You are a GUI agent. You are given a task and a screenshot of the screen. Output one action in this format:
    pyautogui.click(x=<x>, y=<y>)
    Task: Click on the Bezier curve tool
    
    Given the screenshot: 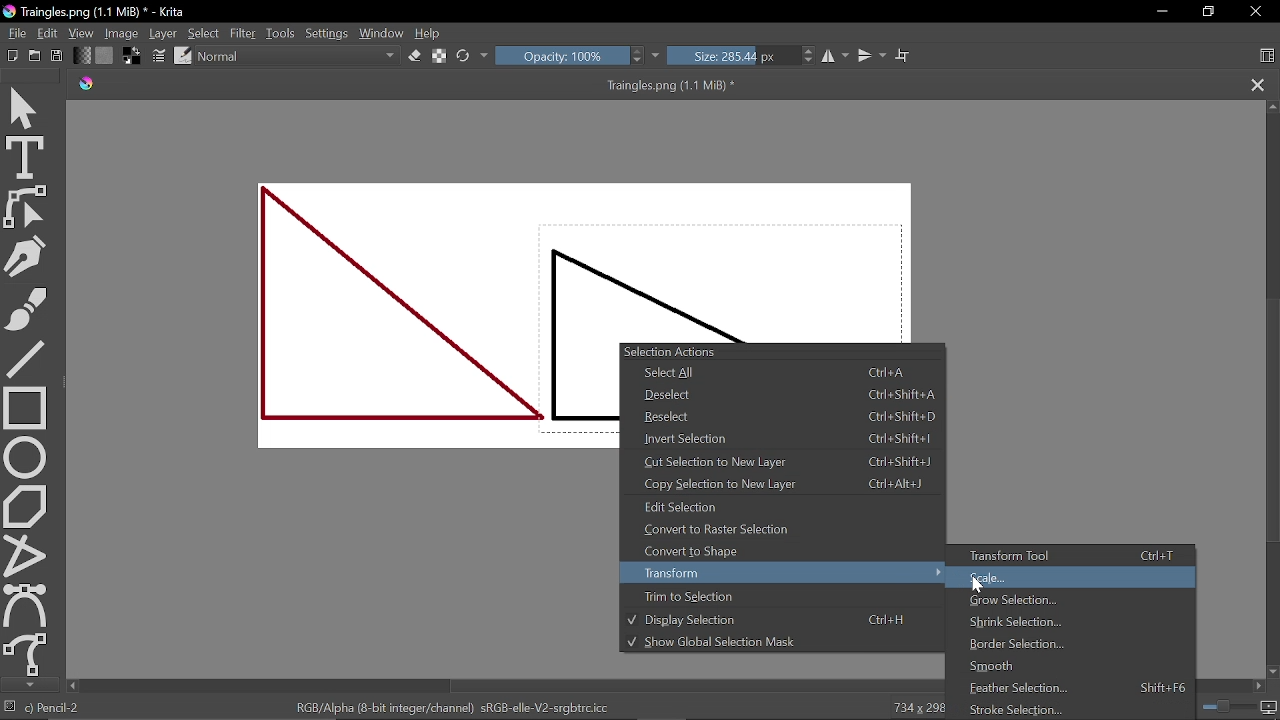 What is the action you would take?
    pyautogui.click(x=26, y=604)
    